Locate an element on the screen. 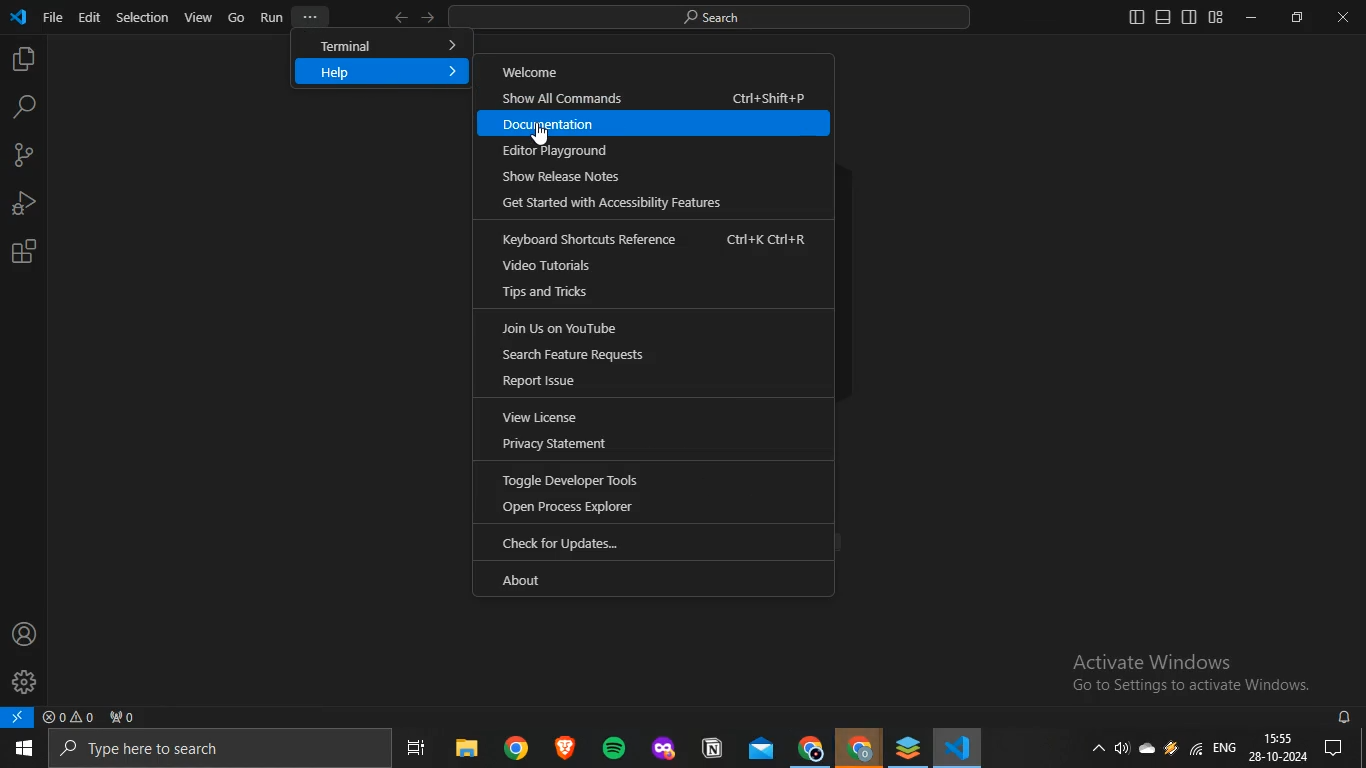 The width and height of the screenshot is (1366, 768). notifications is located at coordinates (1342, 749).